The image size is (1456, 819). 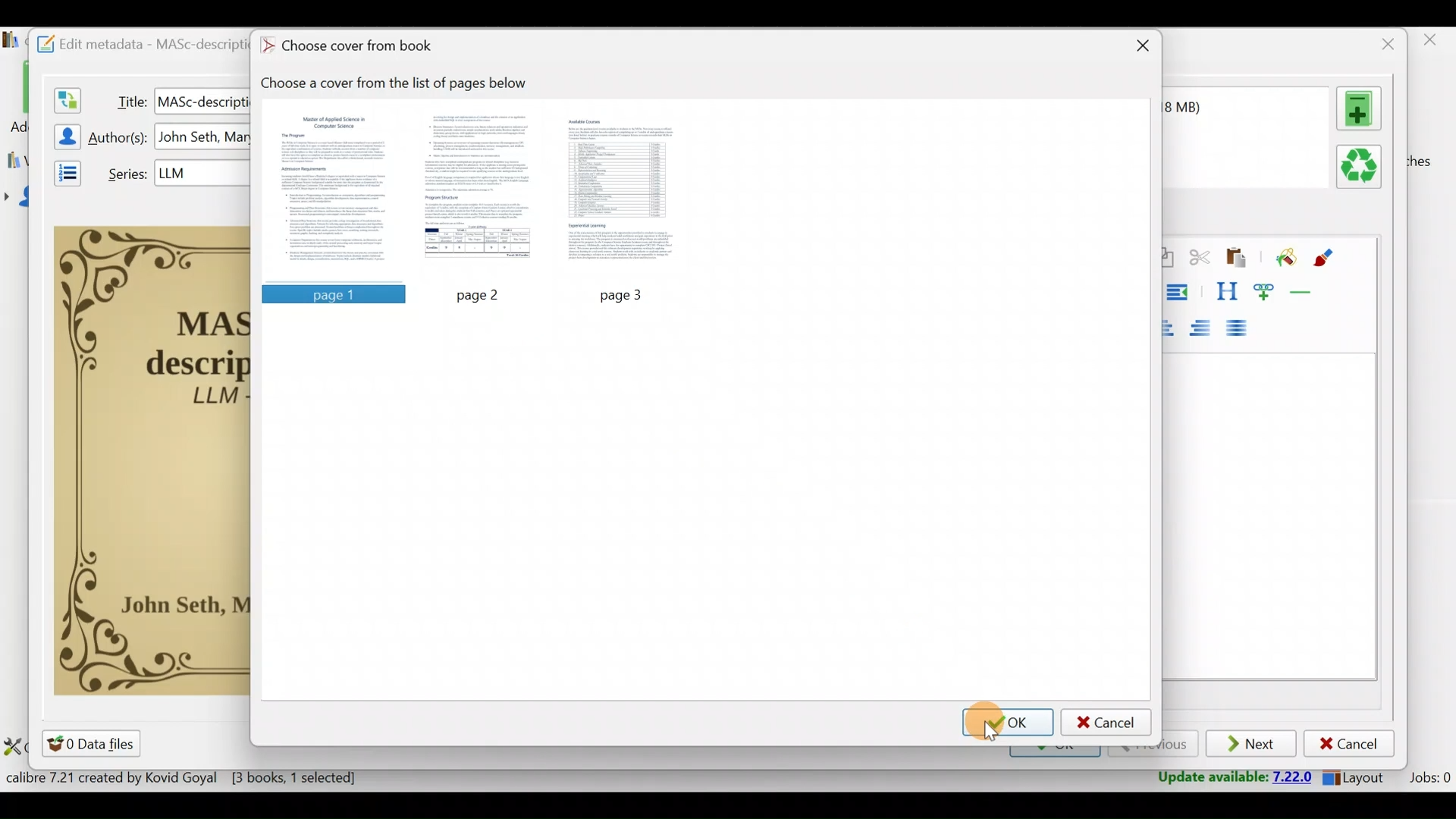 I want to click on , so click(x=204, y=137).